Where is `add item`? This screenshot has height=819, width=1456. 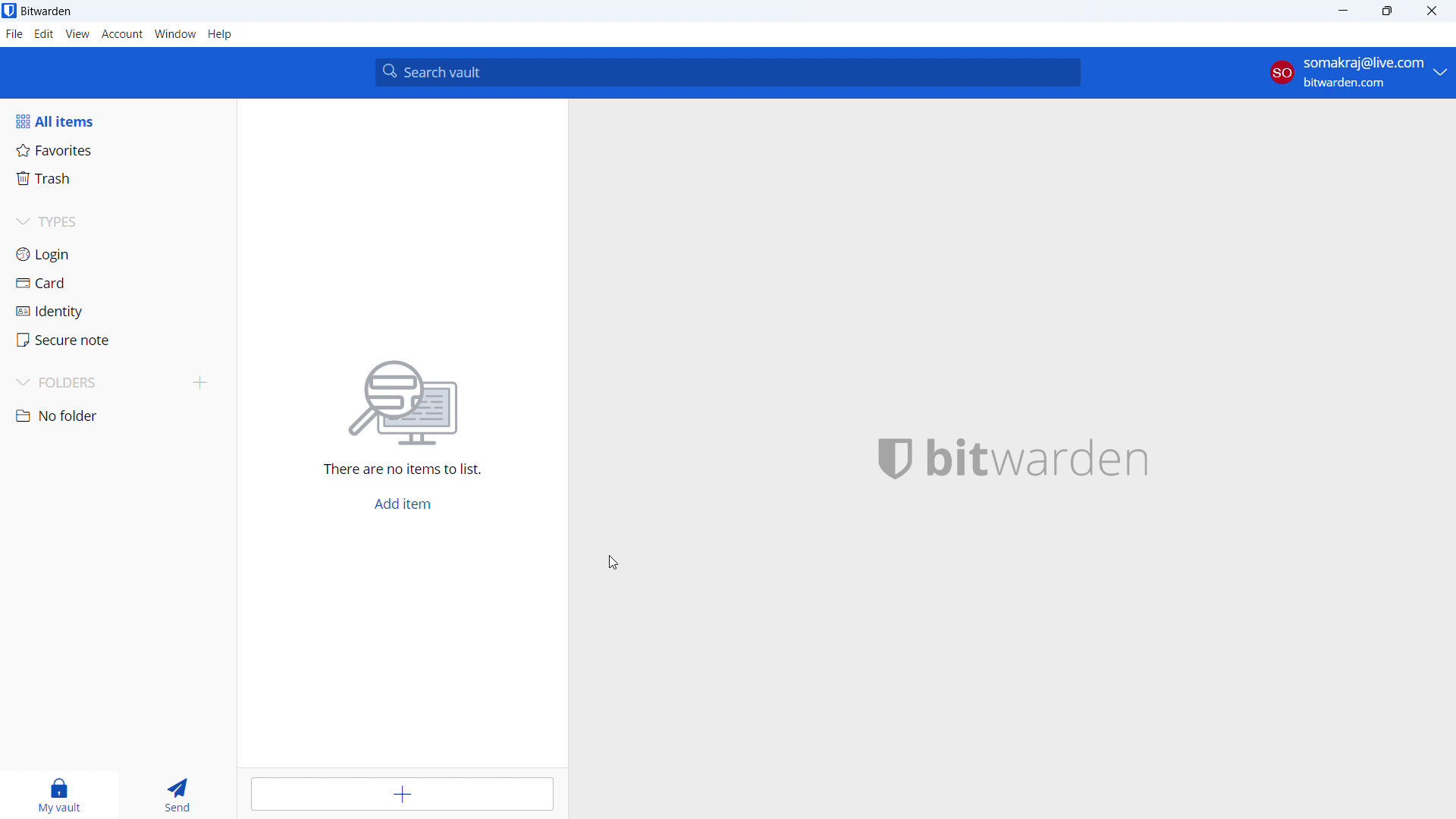
add item is located at coordinates (403, 793).